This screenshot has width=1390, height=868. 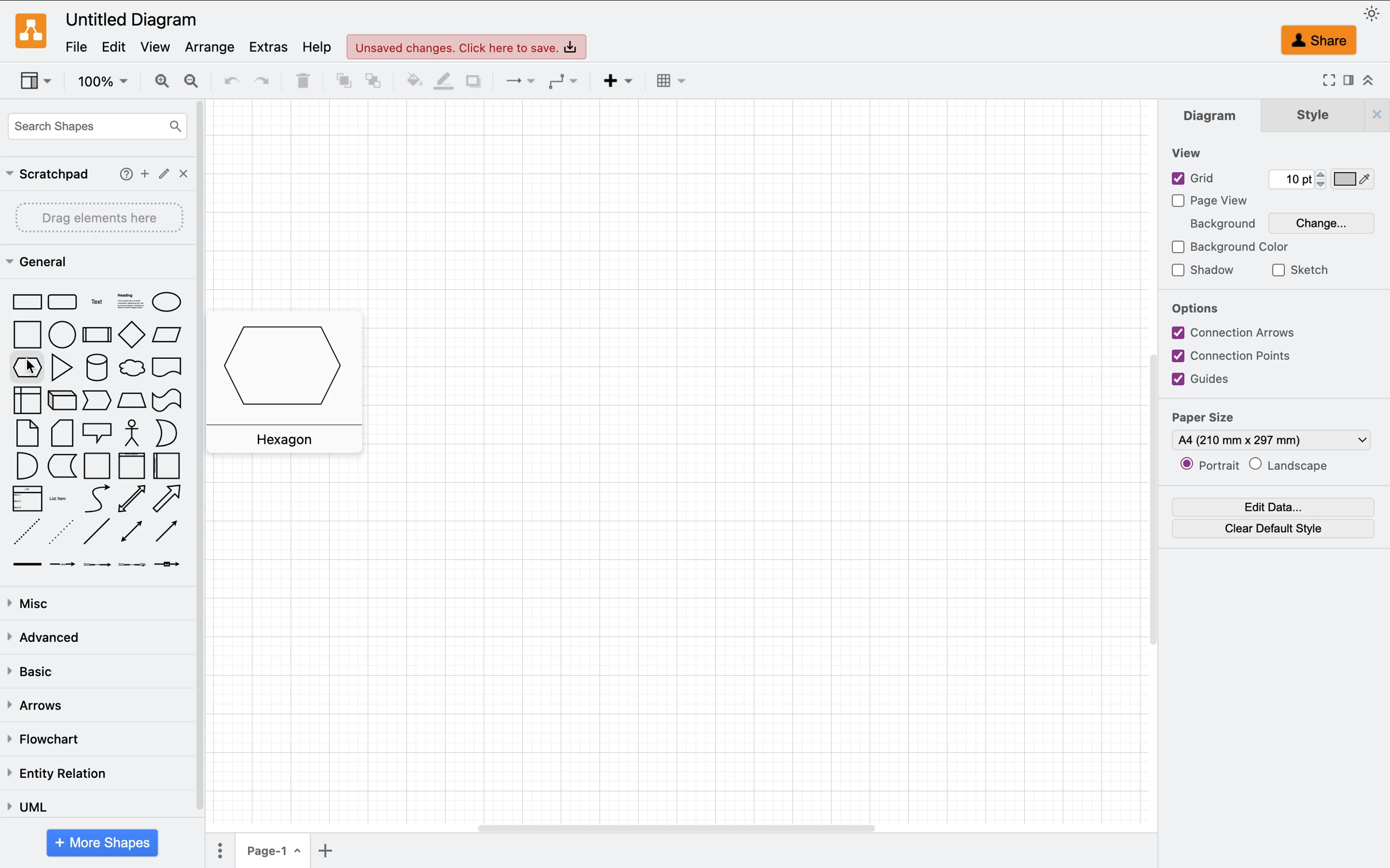 I want to click on clear default style, so click(x=1276, y=529).